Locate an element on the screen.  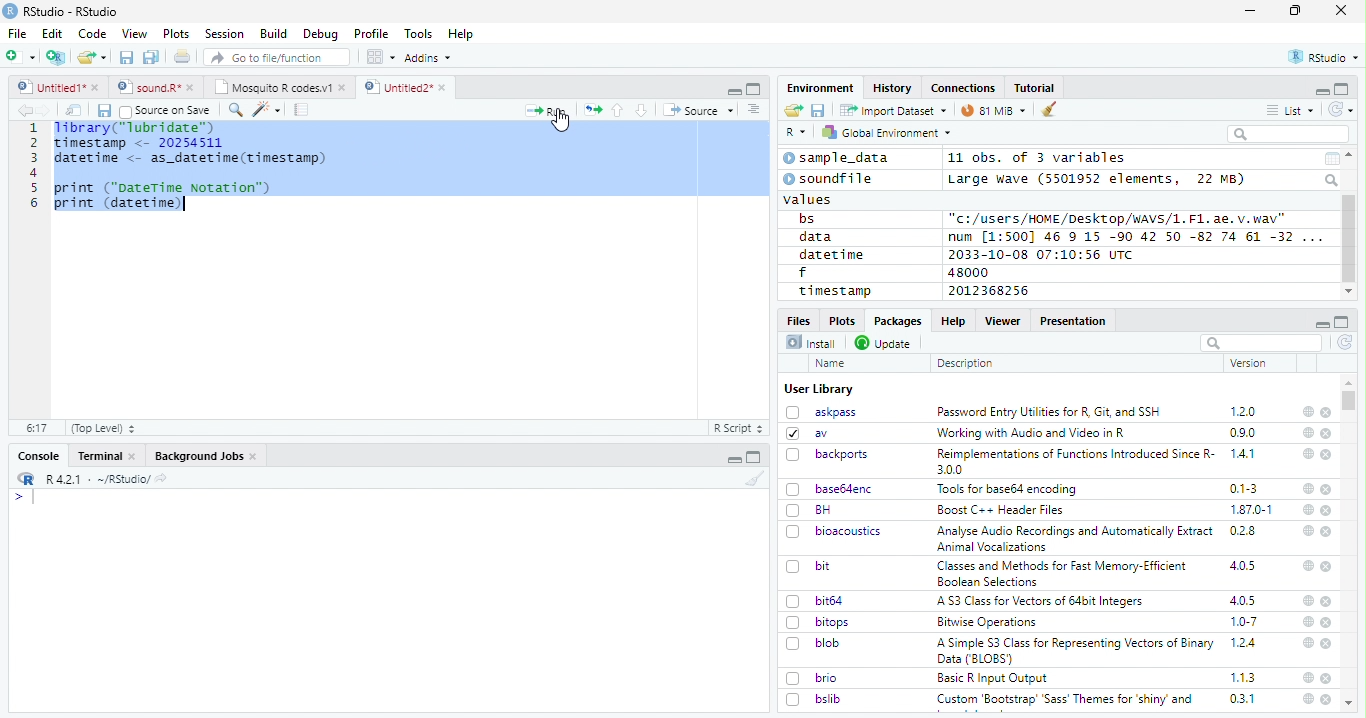
11 obs. of 3 variables is located at coordinates (1038, 159).